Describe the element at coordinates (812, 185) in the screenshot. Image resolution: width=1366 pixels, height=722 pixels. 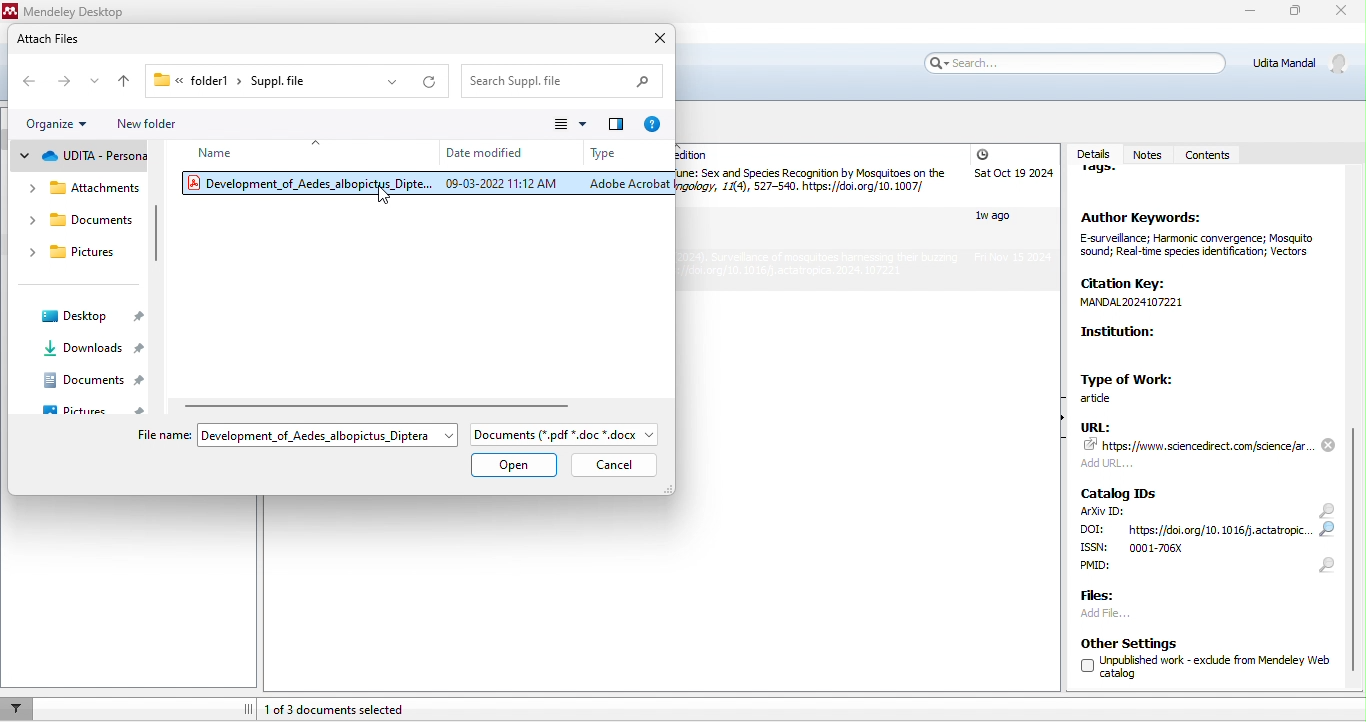
I see `article by Gibson and Russel, 2010` at that location.